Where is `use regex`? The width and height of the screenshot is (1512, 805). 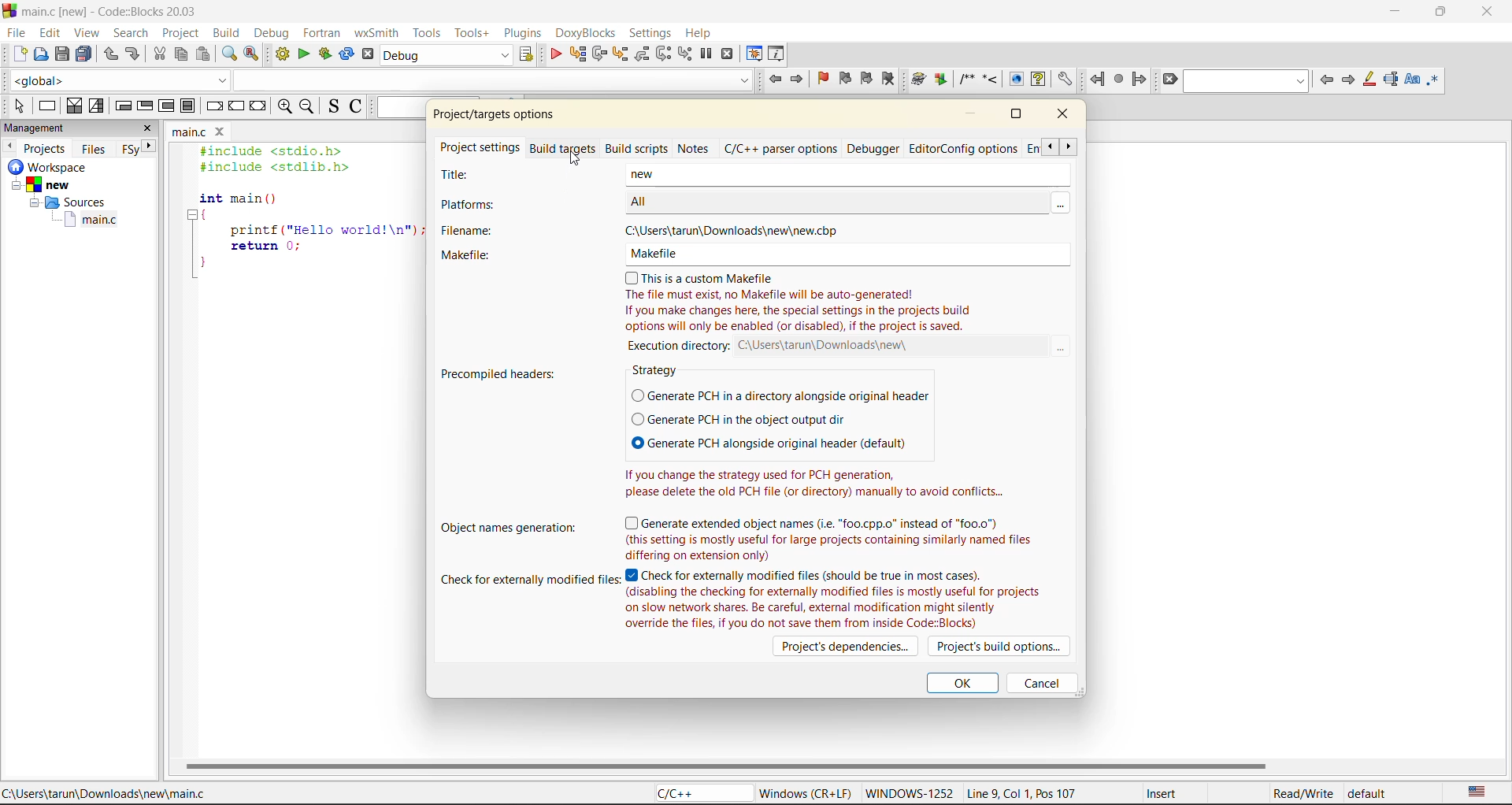 use regex is located at coordinates (1437, 79).